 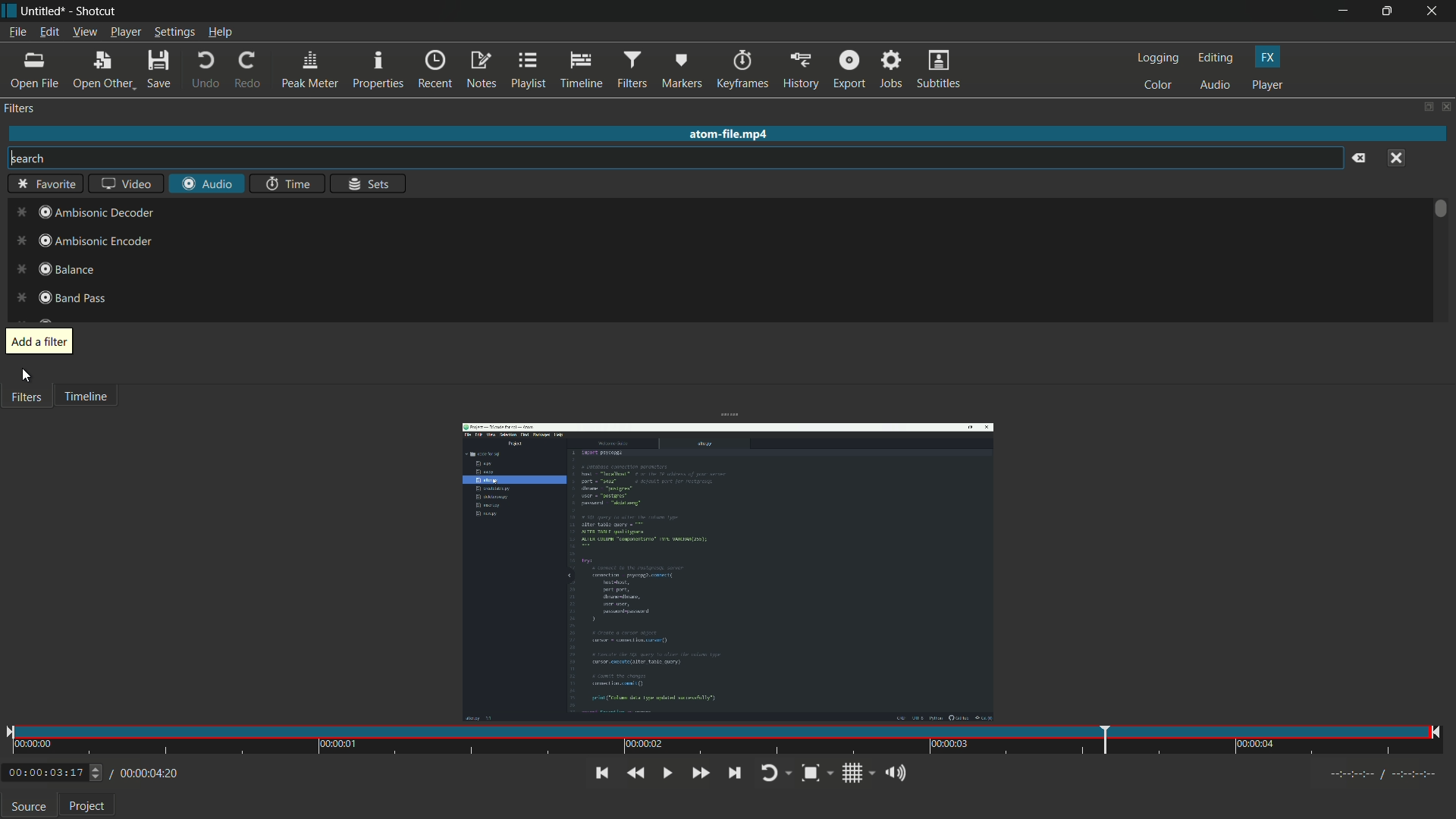 What do you see at coordinates (1427, 108) in the screenshot?
I see `change layout` at bounding box center [1427, 108].